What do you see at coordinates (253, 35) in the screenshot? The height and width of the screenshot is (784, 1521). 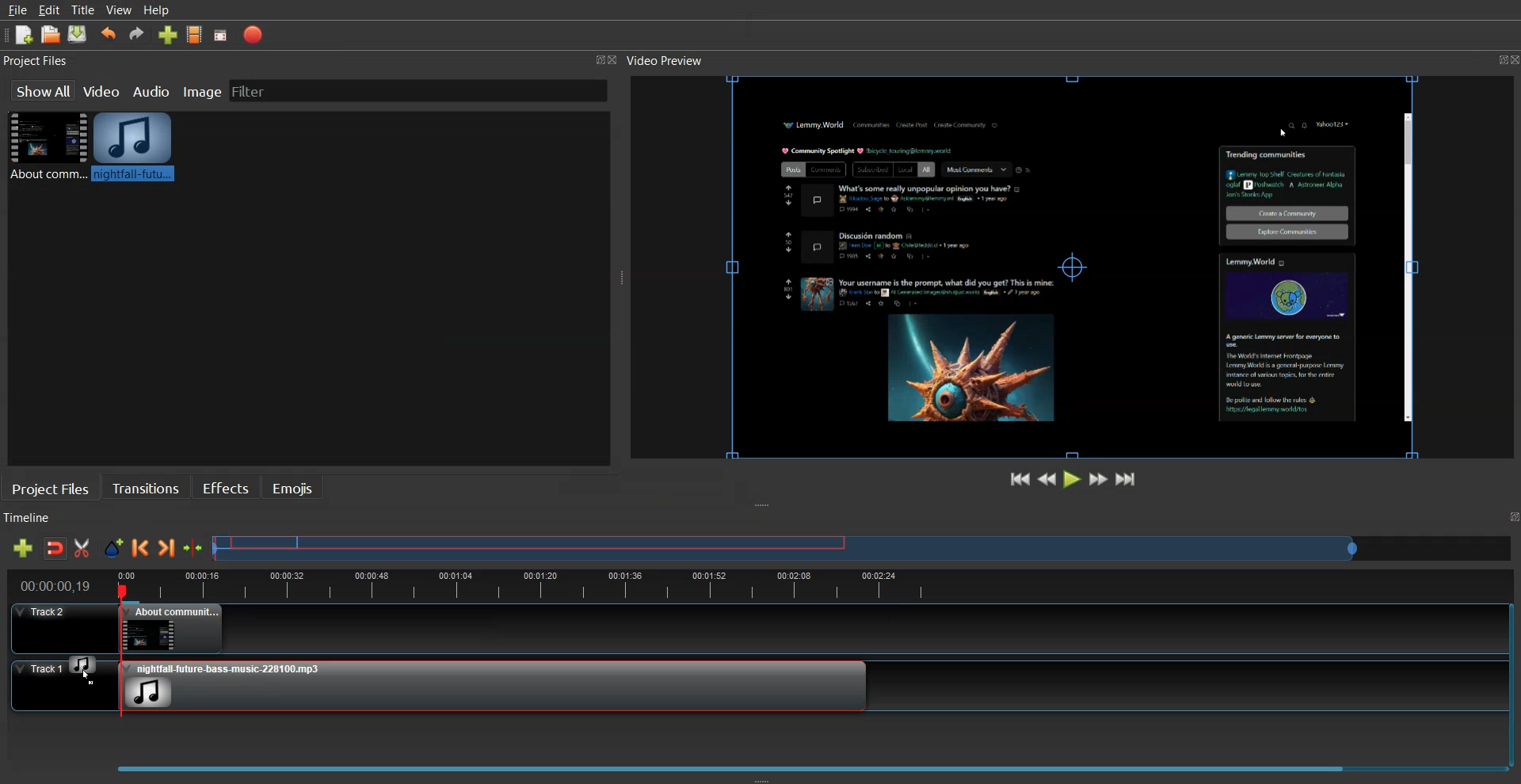 I see `Export Video` at bounding box center [253, 35].